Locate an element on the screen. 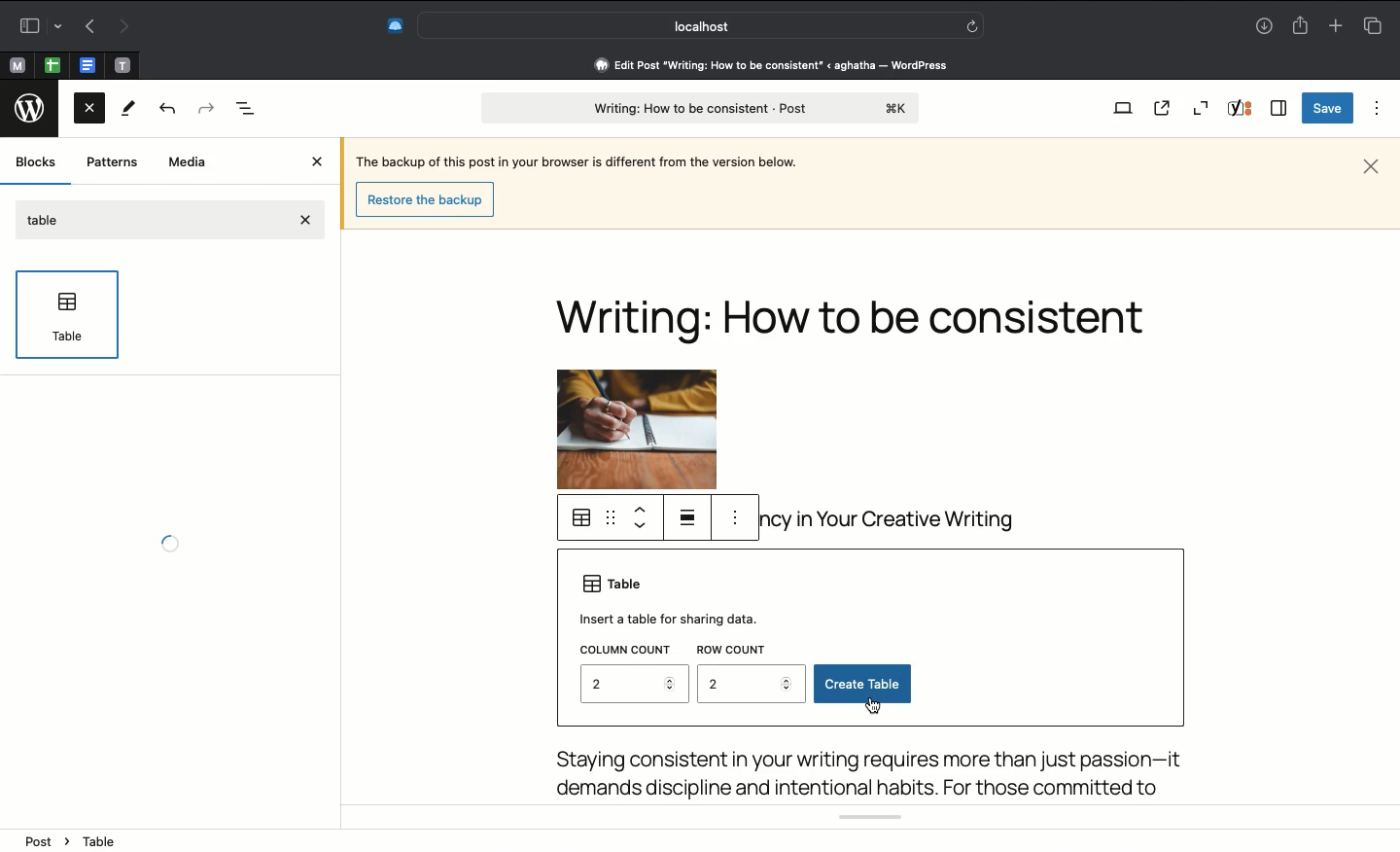  Media is located at coordinates (189, 163).